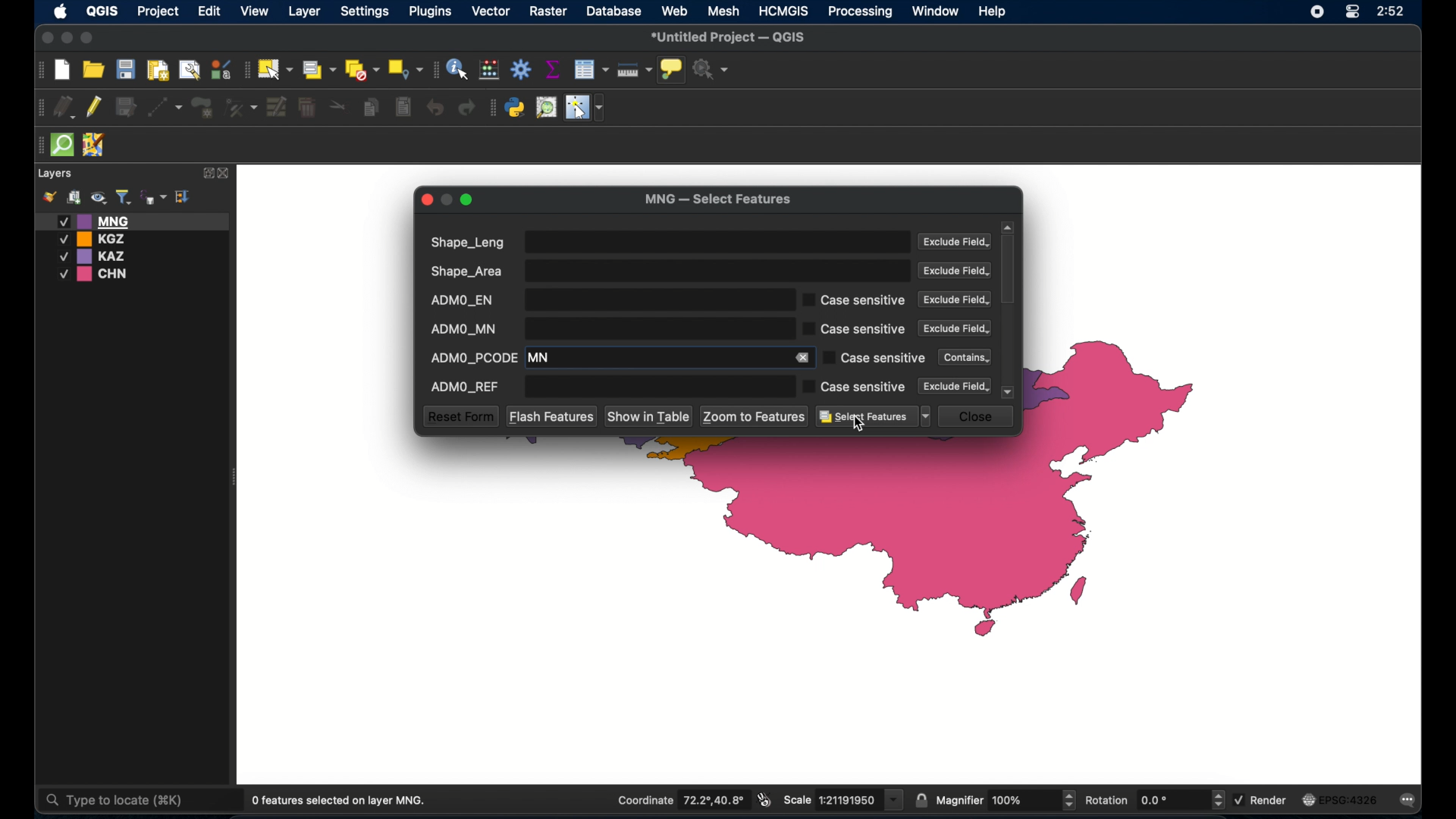  Describe the element at coordinates (755, 416) in the screenshot. I see `zoom to features` at that location.